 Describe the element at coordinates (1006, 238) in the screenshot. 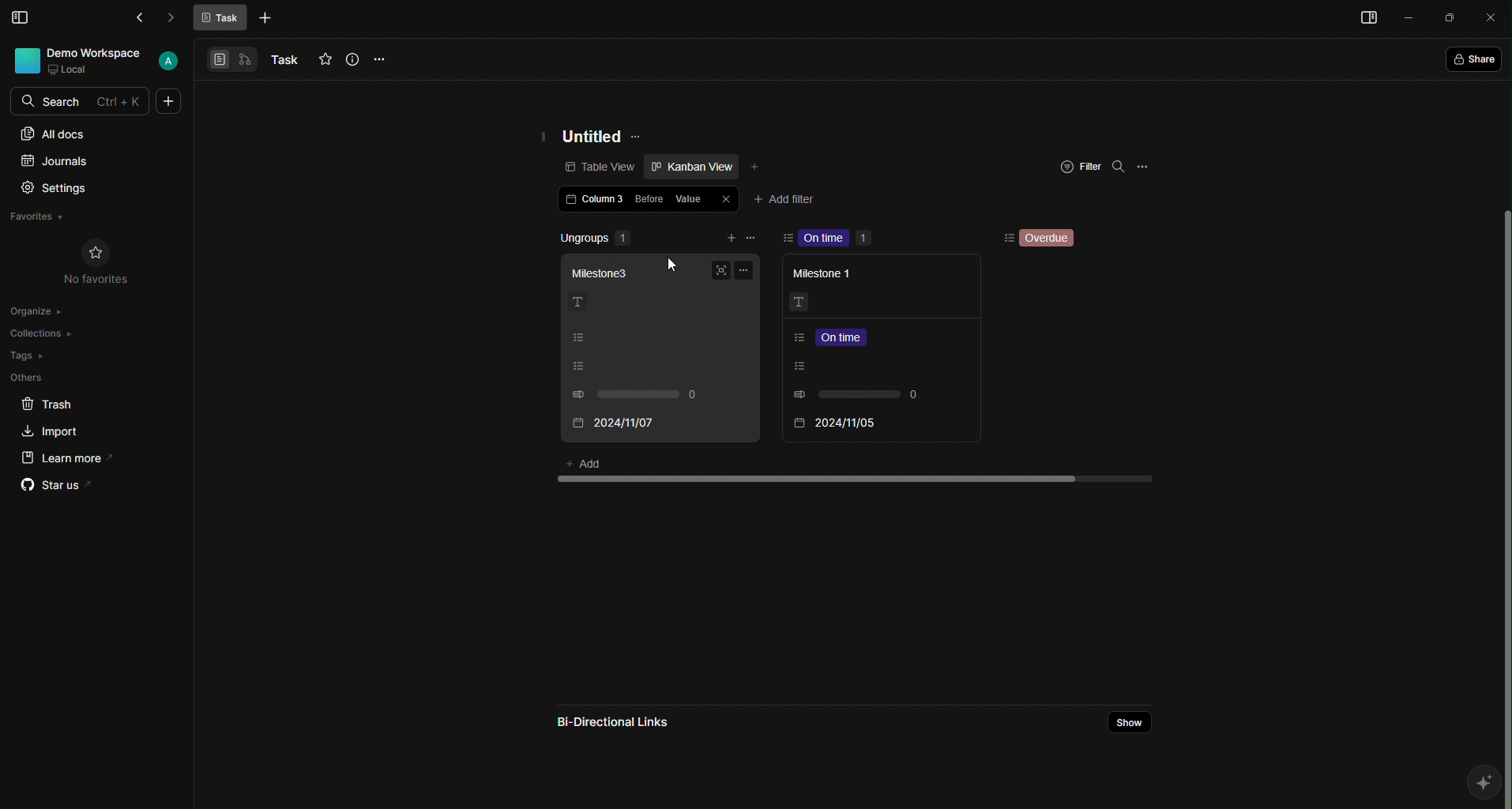

I see `Sorting` at that location.